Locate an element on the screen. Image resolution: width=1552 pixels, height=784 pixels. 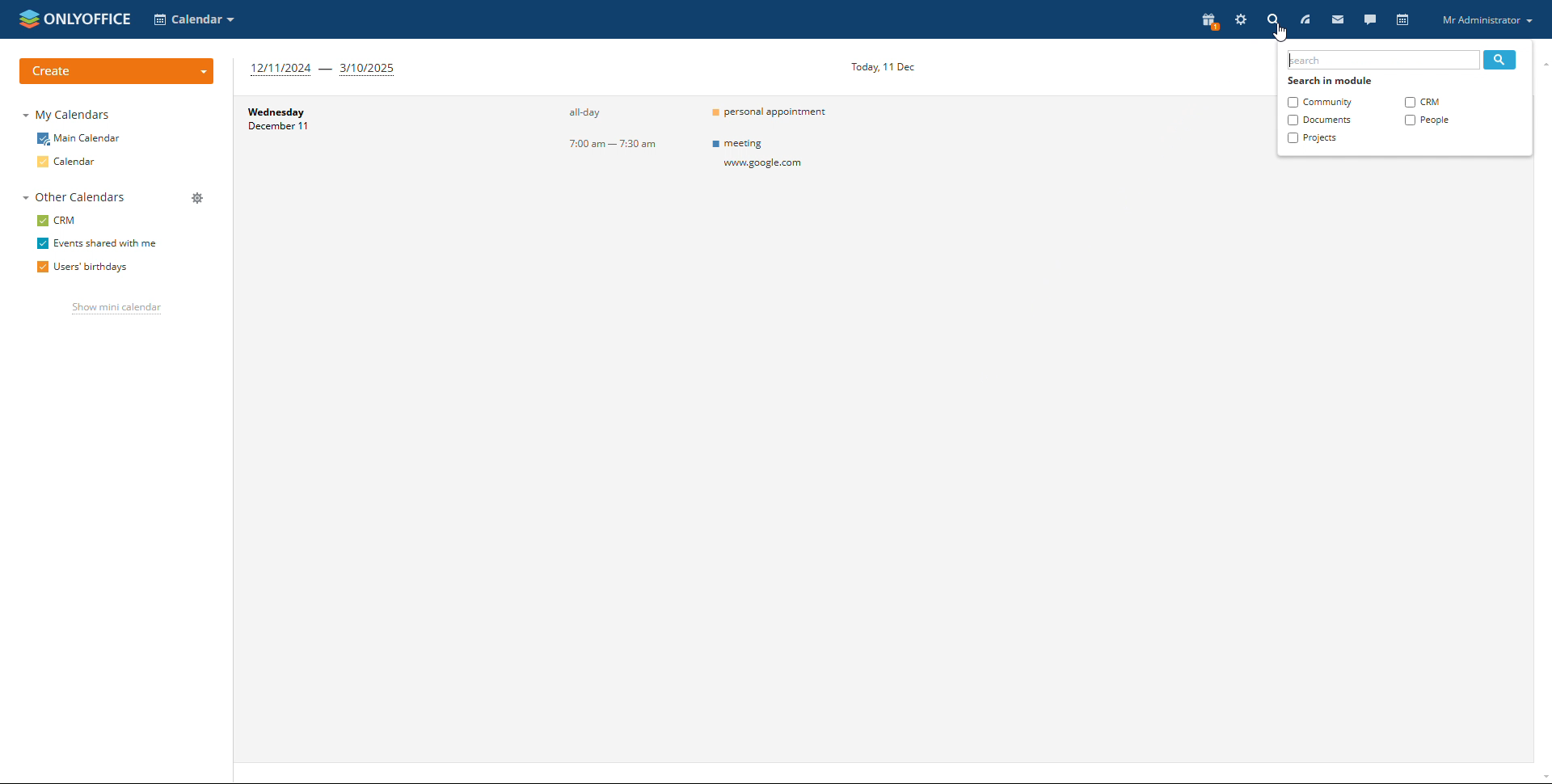
search is located at coordinates (1500, 60).